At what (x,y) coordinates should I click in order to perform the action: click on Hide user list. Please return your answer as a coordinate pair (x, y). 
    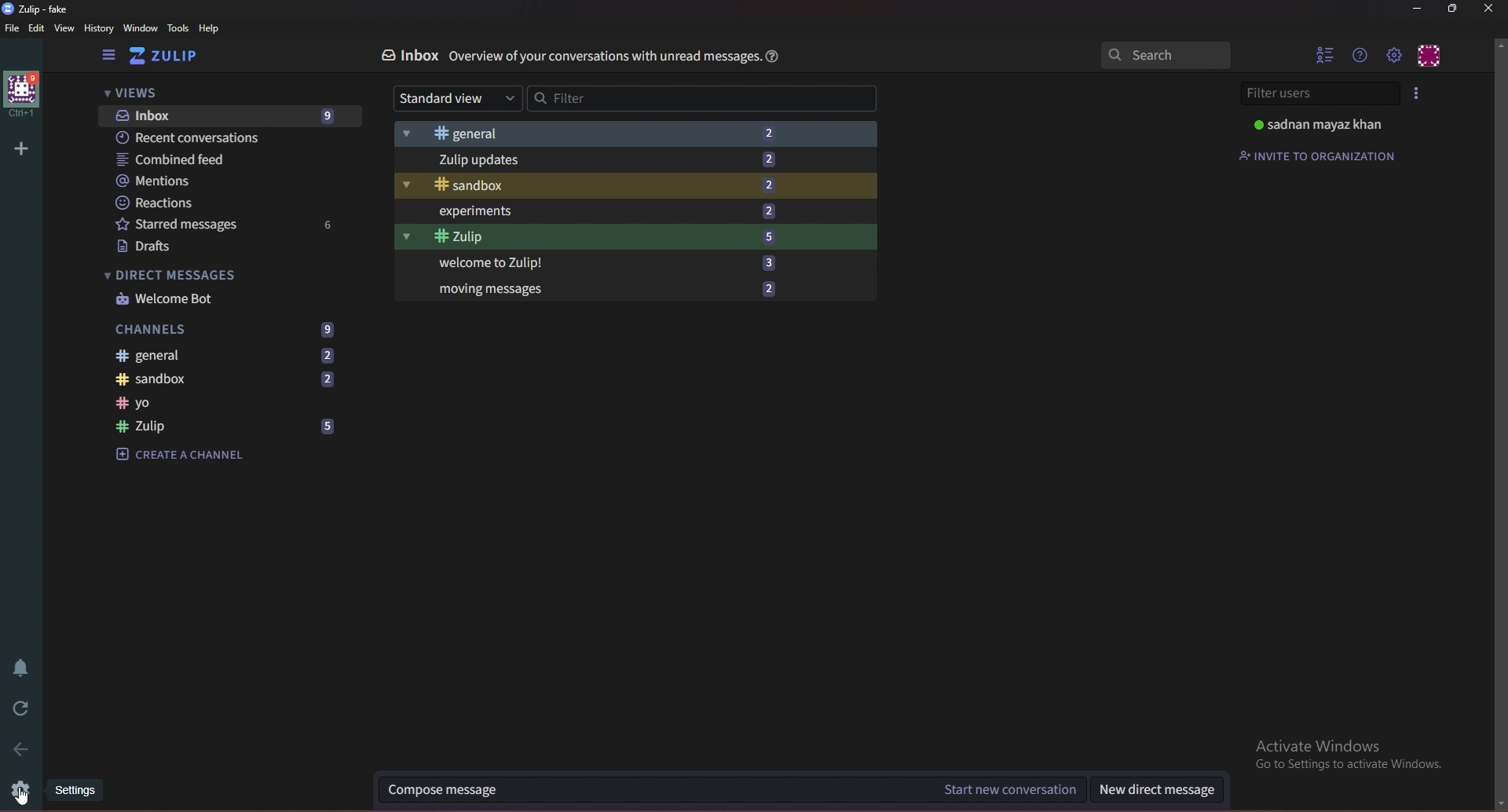
    Looking at the image, I should click on (1326, 53).